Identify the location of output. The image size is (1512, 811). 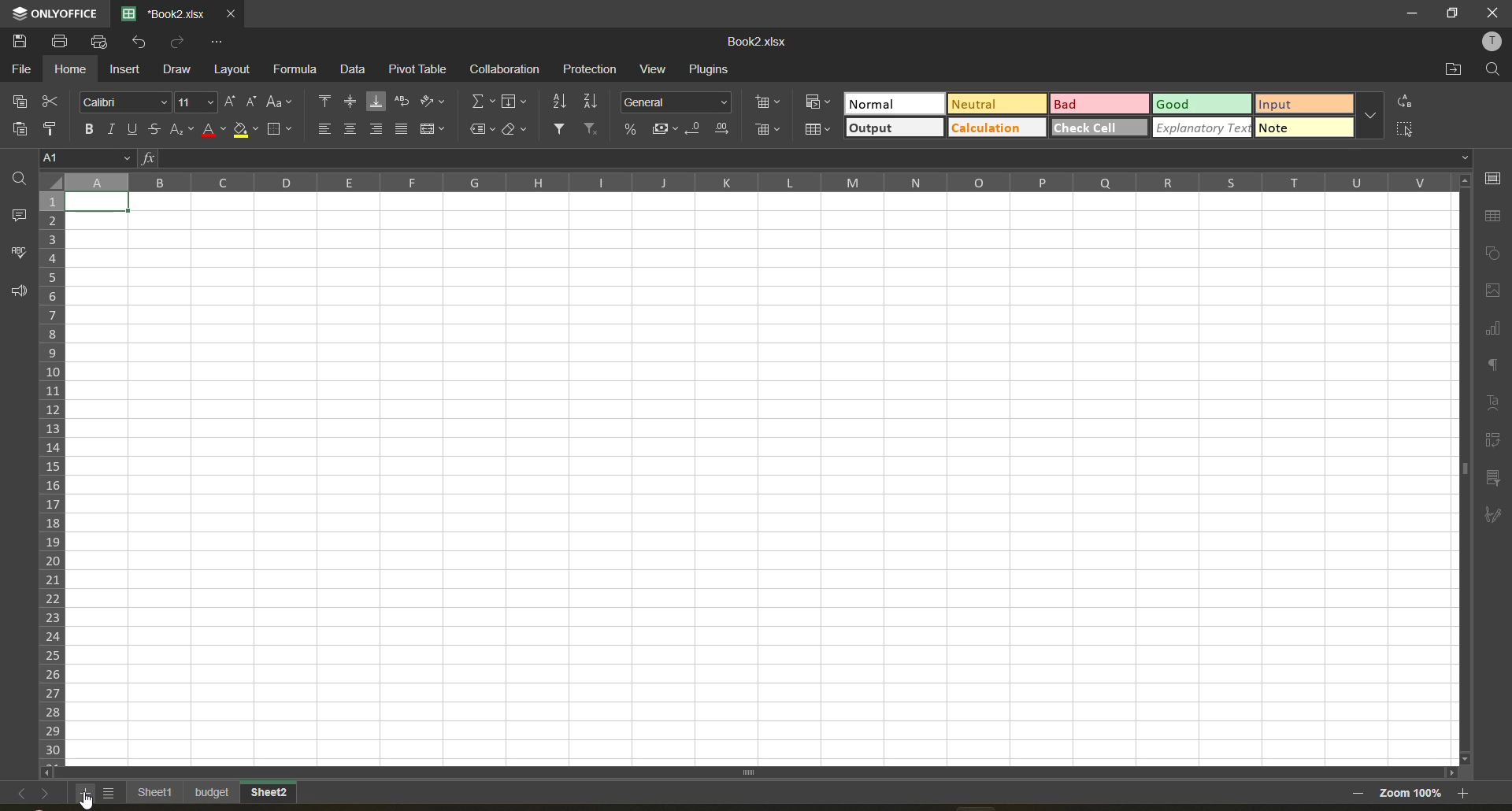
(895, 128).